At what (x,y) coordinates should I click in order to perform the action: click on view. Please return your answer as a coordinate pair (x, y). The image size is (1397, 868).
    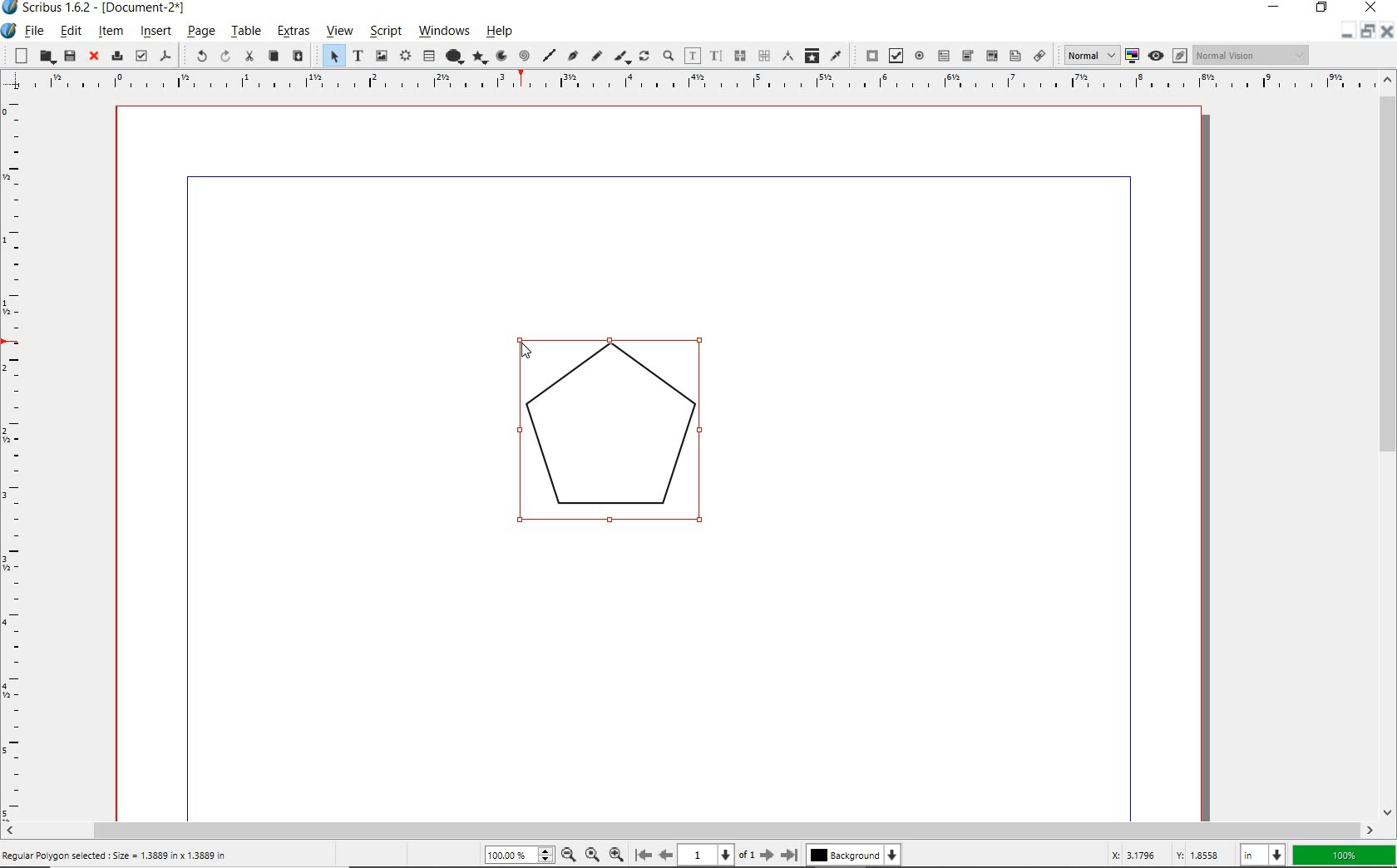
    Looking at the image, I should click on (339, 32).